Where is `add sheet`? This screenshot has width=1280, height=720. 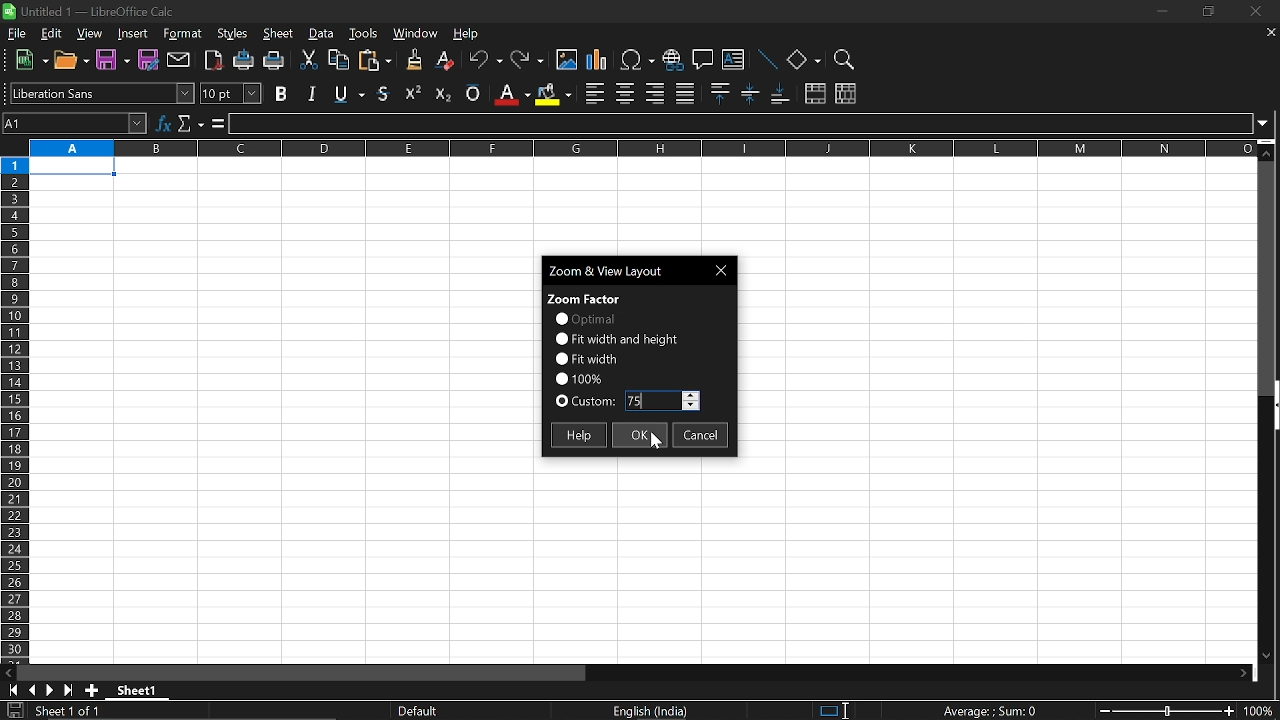
add sheet is located at coordinates (90, 690).